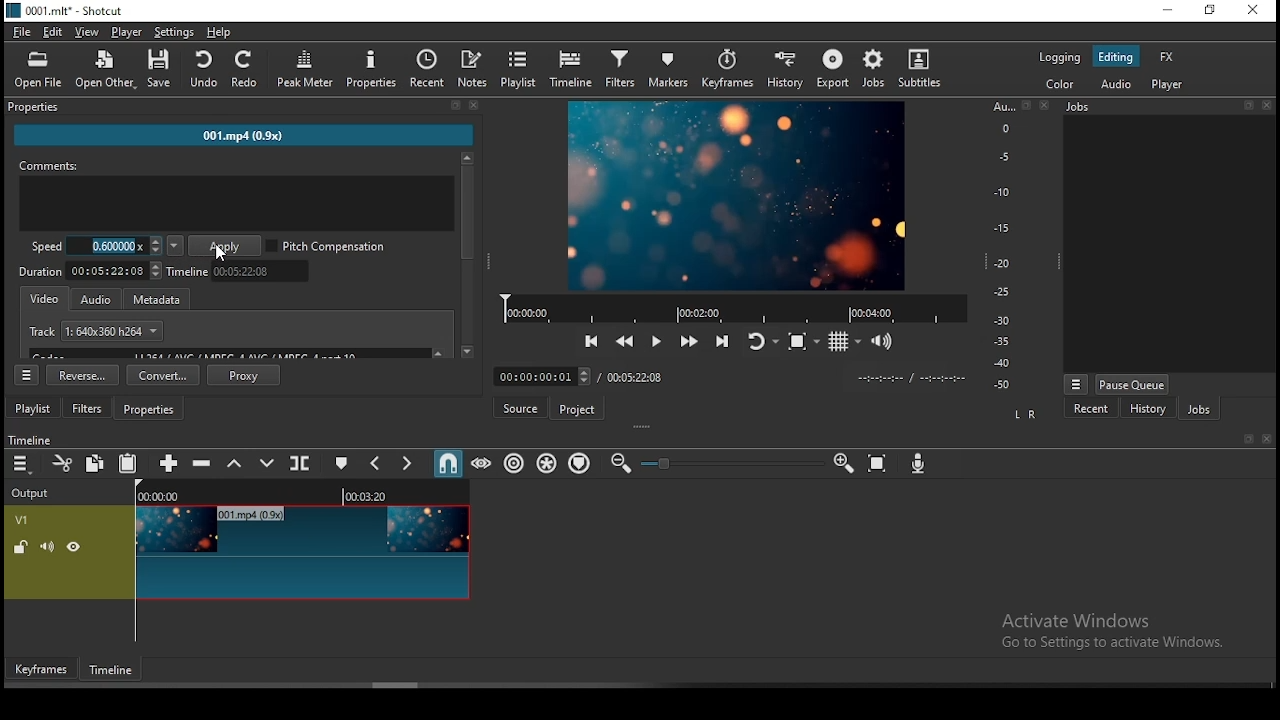 The height and width of the screenshot is (720, 1280). What do you see at coordinates (1046, 105) in the screenshot?
I see `Close` at bounding box center [1046, 105].